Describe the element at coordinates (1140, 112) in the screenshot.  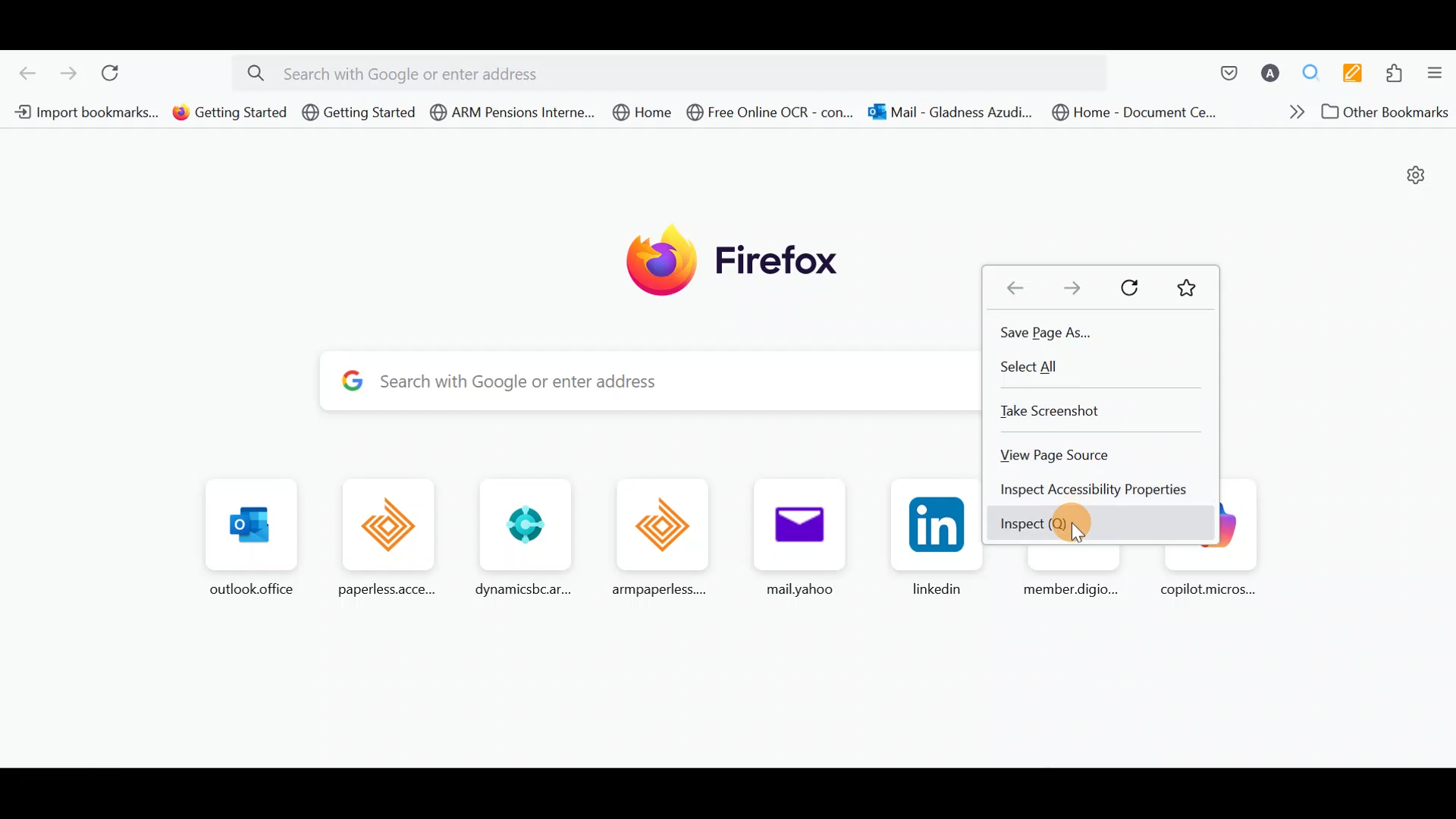
I see `Bookmark 8` at that location.